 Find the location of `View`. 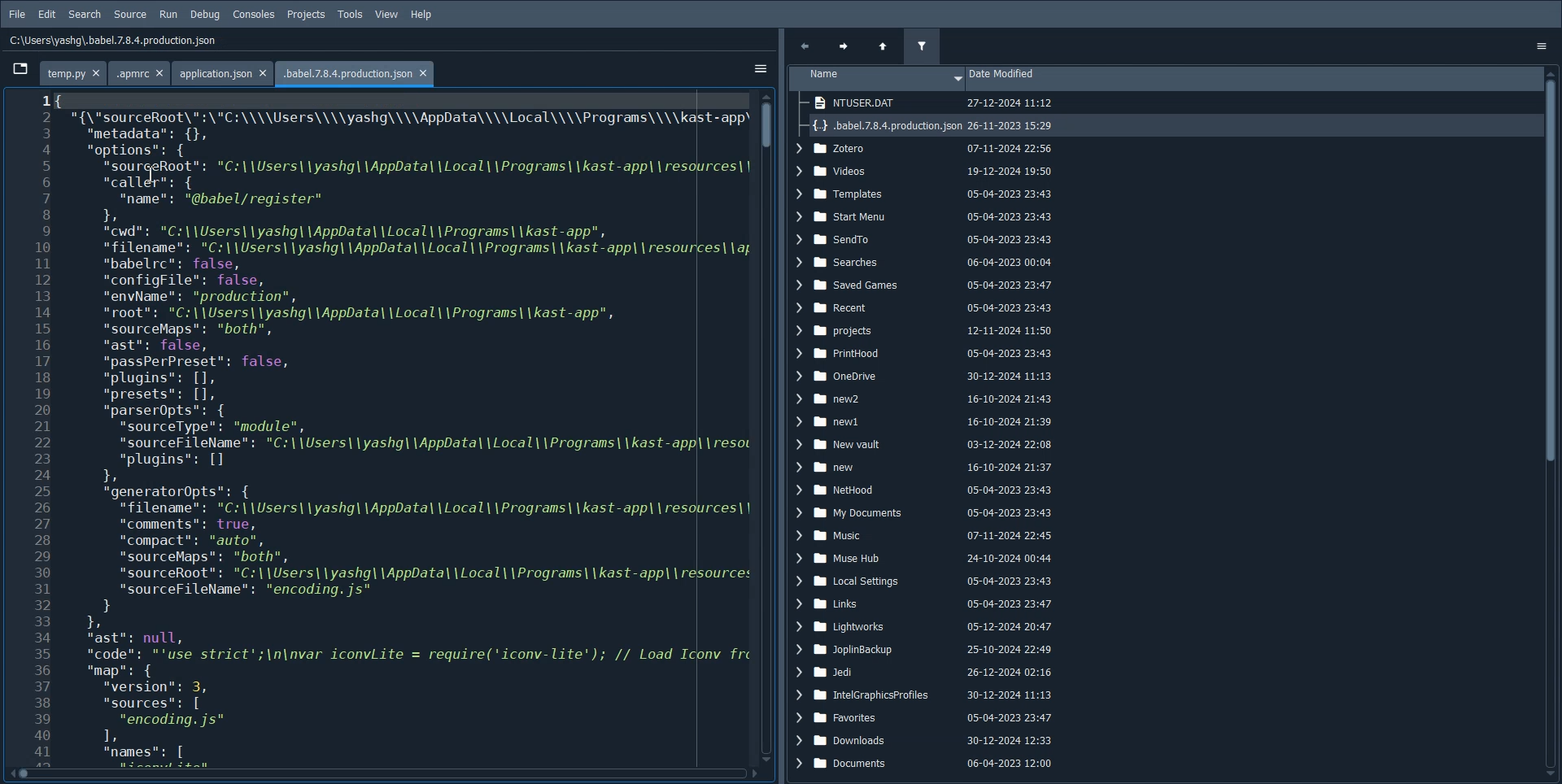

View is located at coordinates (387, 15).